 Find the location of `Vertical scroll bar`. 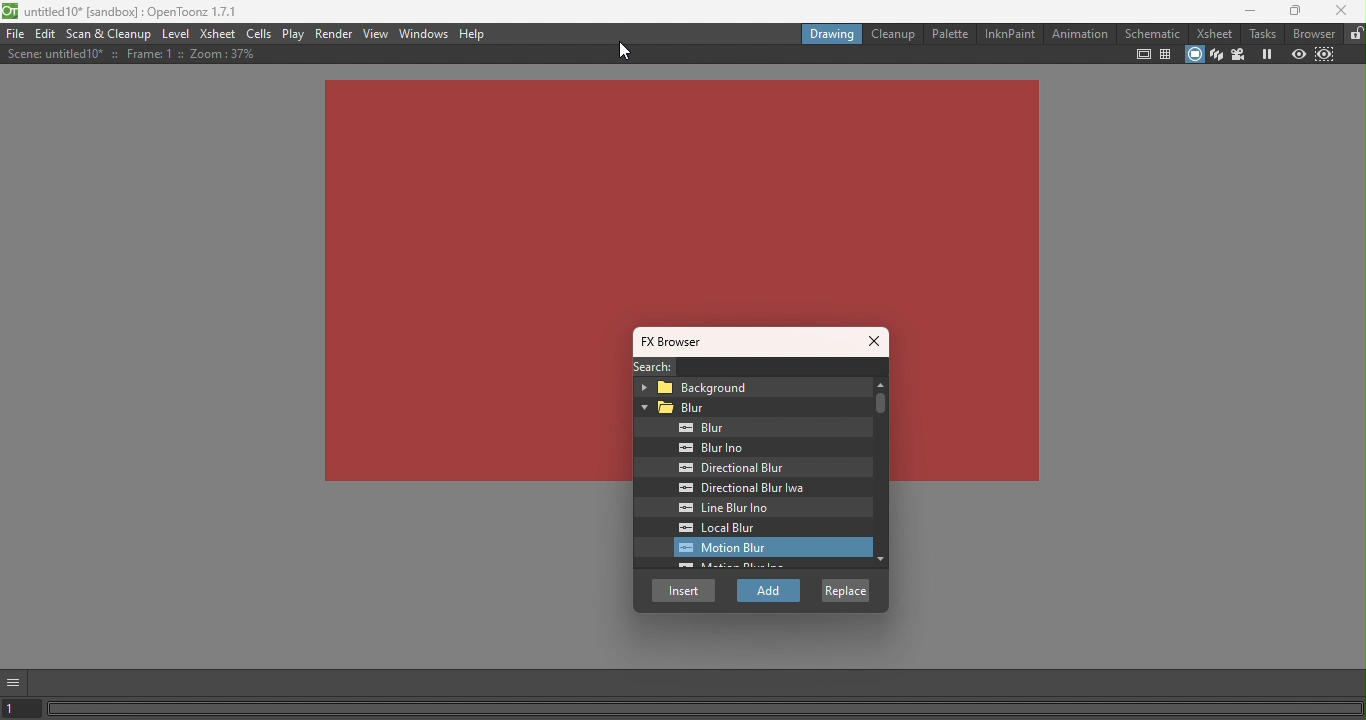

Vertical scroll bar is located at coordinates (877, 475).